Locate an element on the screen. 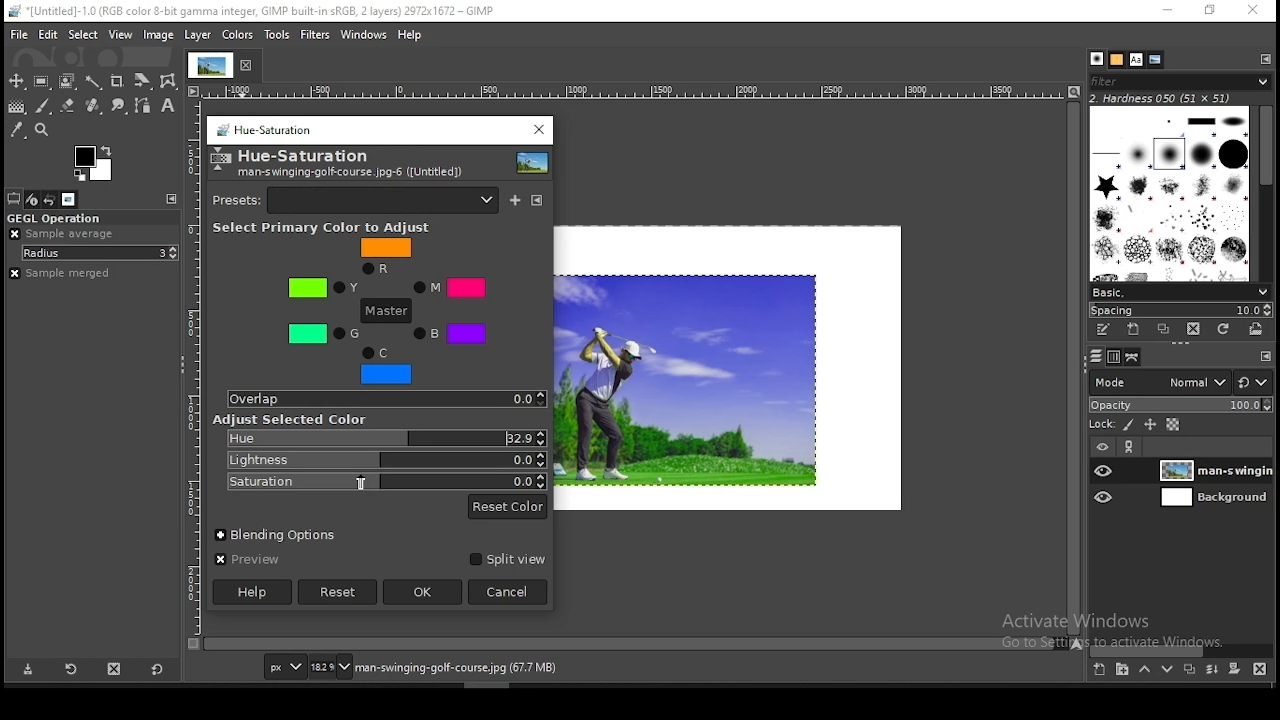  man-swinging-golf-course.jpg (67.7 mb) is located at coordinates (458, 669).